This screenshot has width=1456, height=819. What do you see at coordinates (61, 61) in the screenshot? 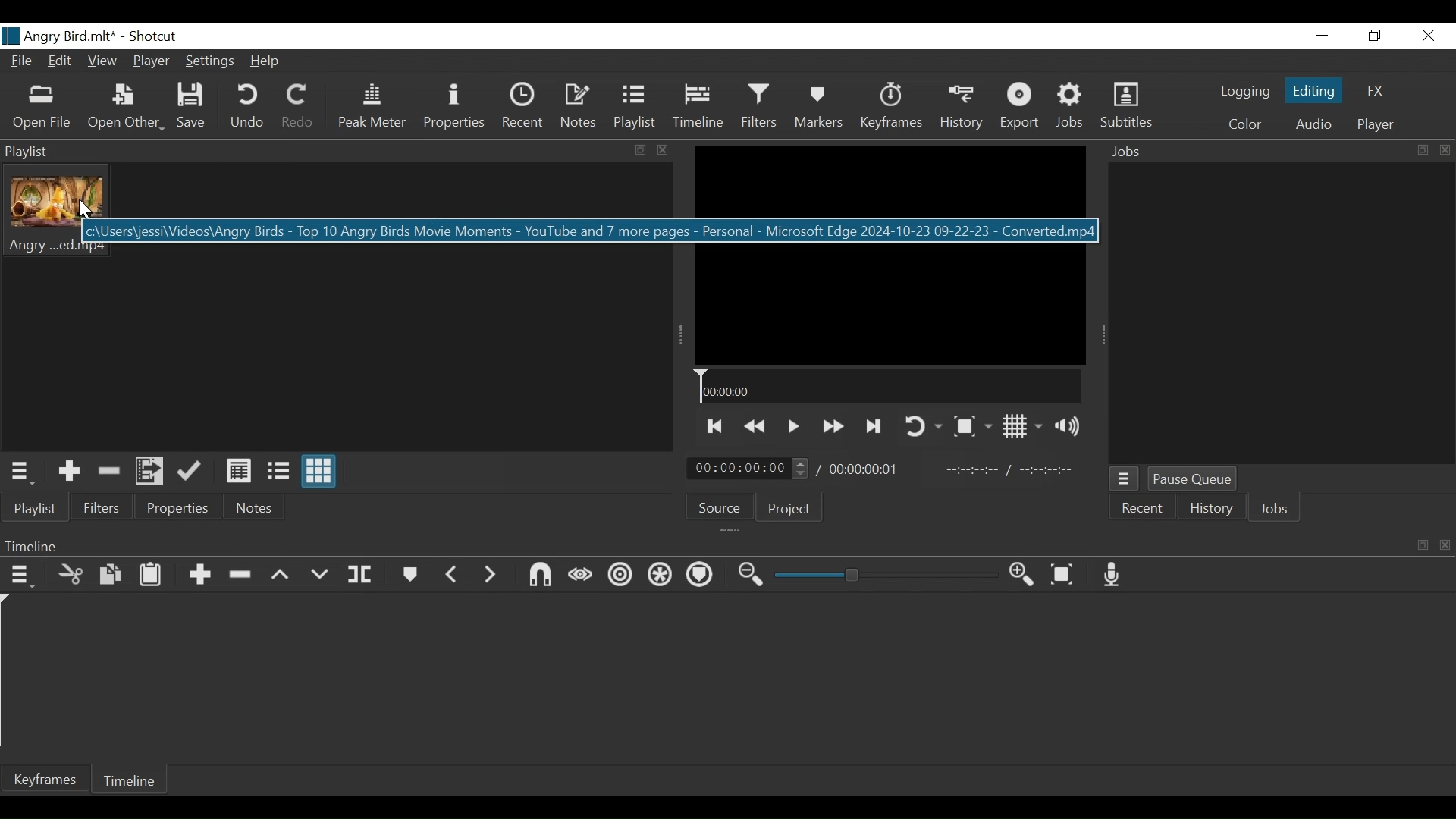
I see `Edit` at bounding box center [61, 61].